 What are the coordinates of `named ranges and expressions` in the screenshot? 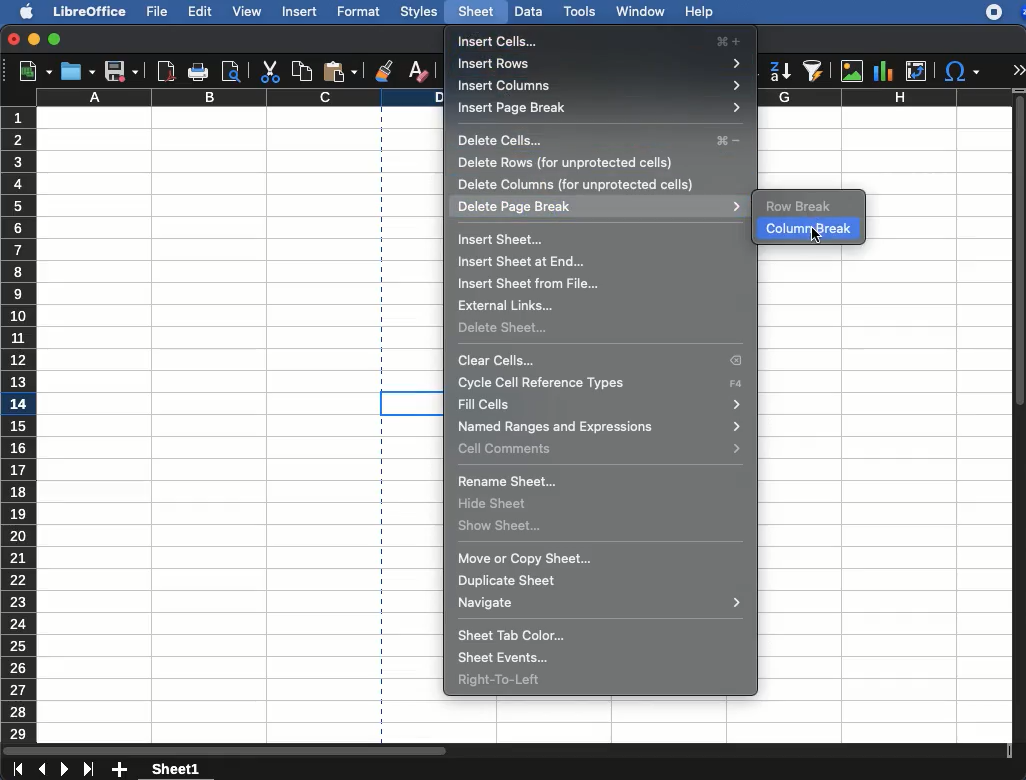 It's located at (600, 427).